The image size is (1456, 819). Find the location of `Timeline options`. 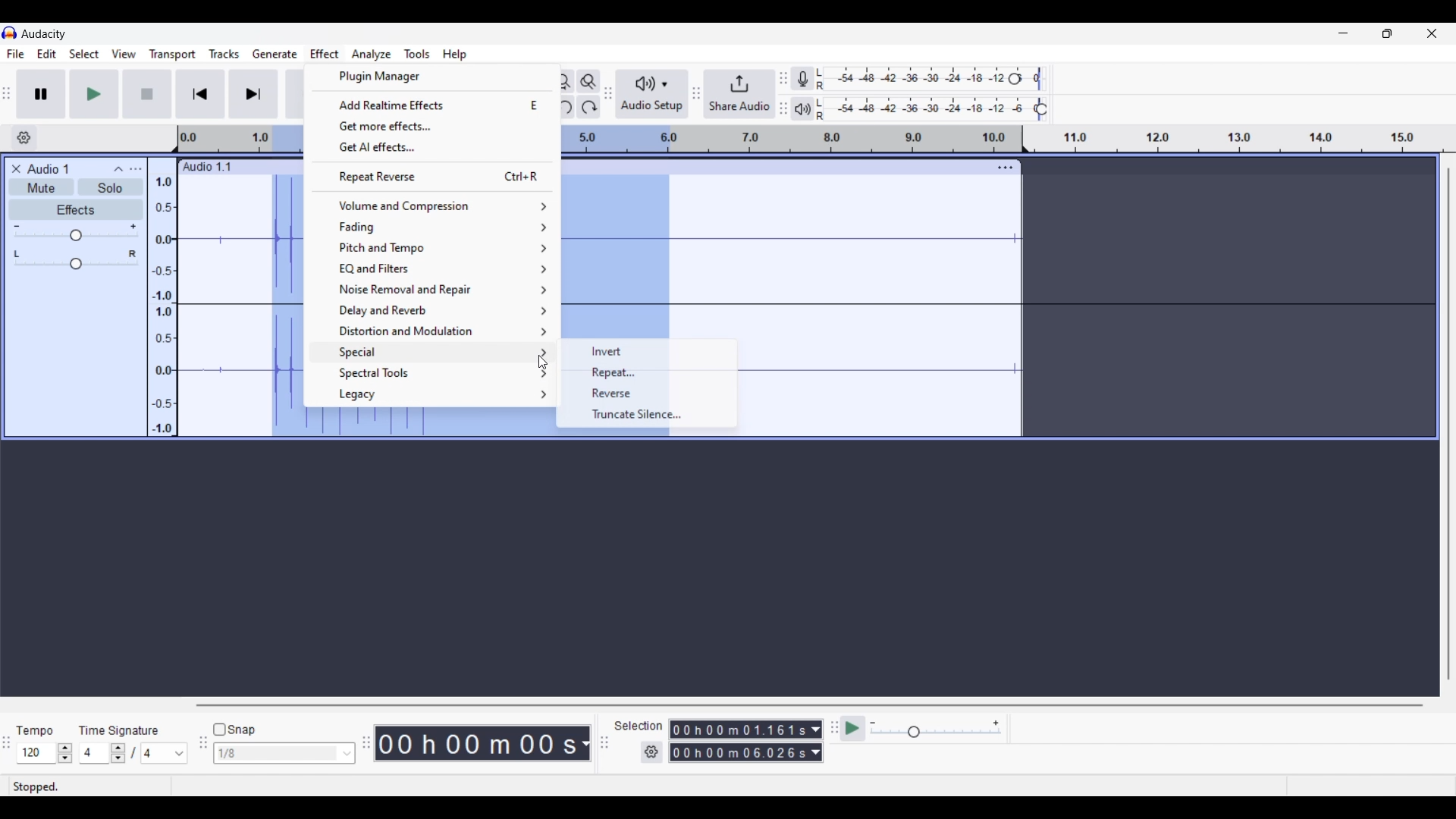

Timeline options is located at coordinates (24, 138).